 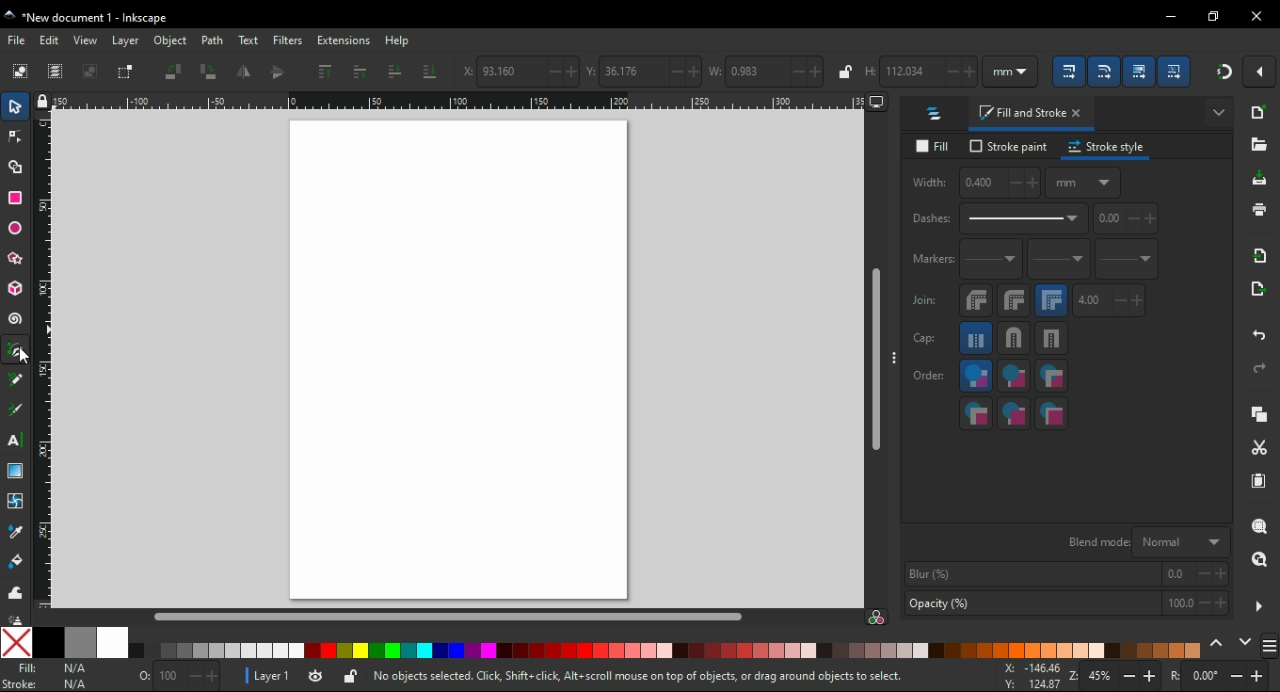 What do you see at coordinates (1051, 300) in the screenshot?
I see `miter` at bounding box center [1051, 300].